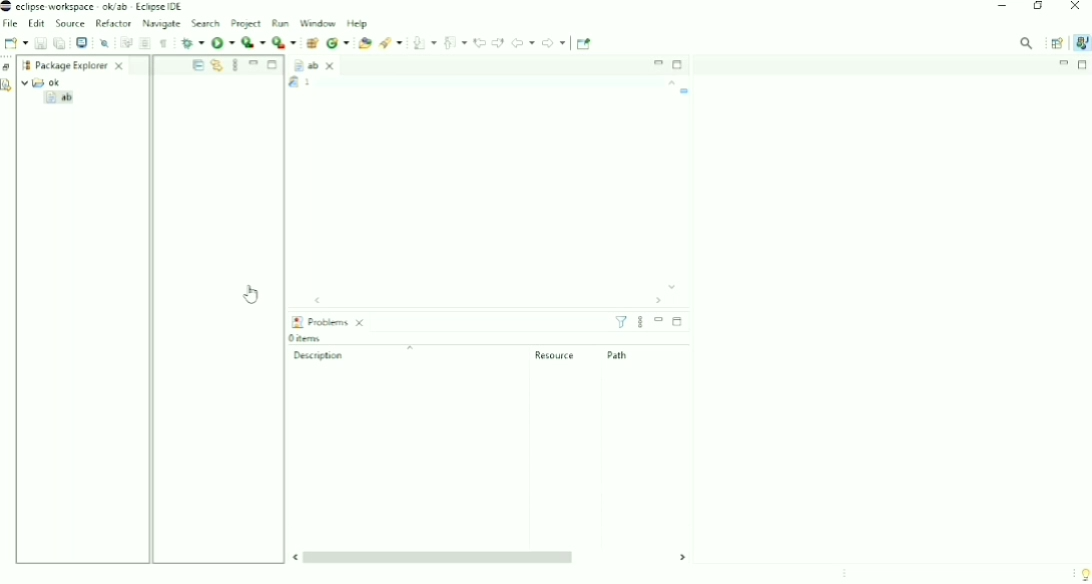 This screenshot has height=584, width=1092. Describe the element at coordinates (1080, 43) in the screenshot. I see `Java` at that location.